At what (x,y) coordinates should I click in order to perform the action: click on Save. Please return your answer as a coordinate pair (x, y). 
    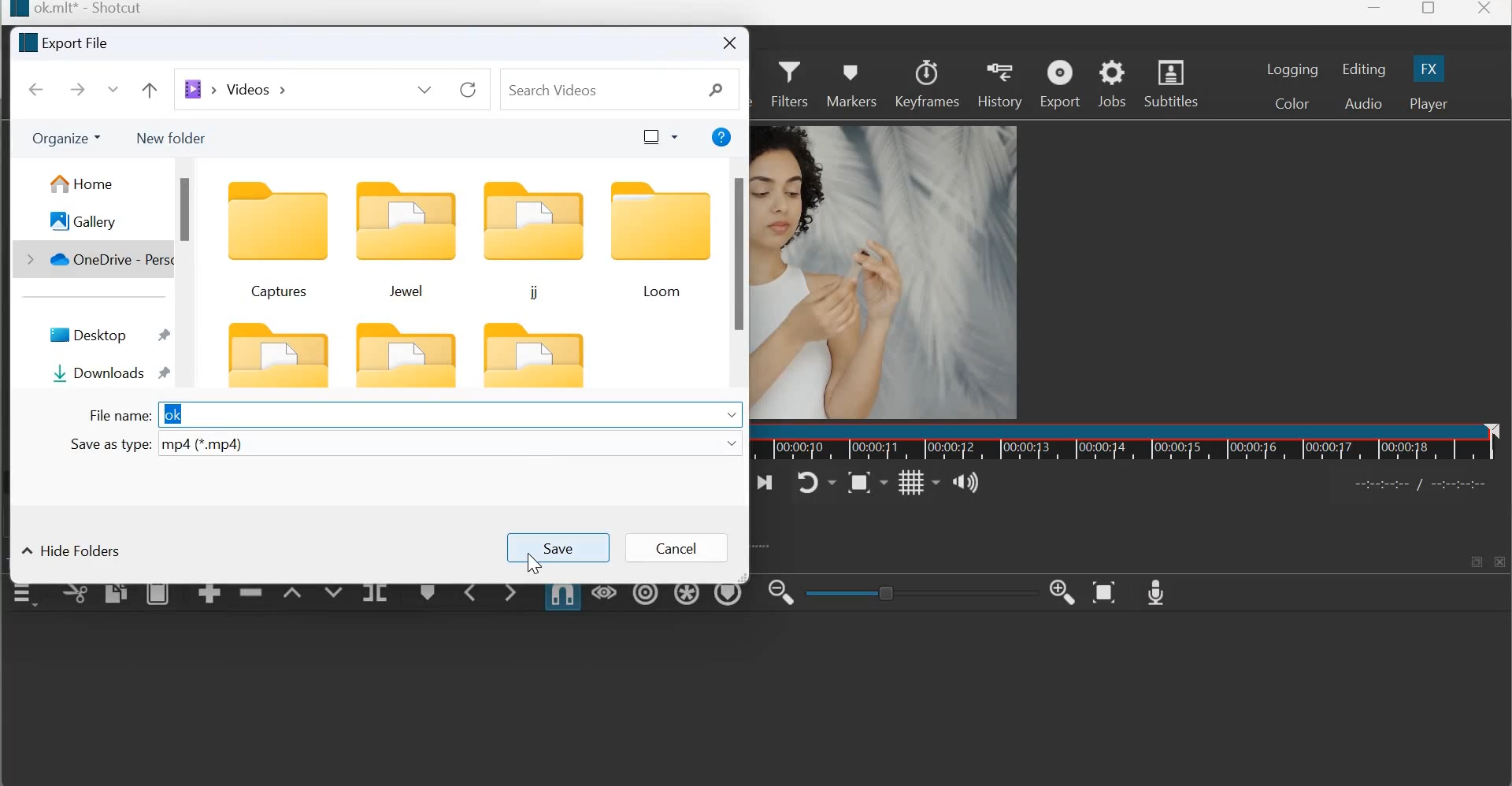
    Looking at the image, I should click on (561, 547).